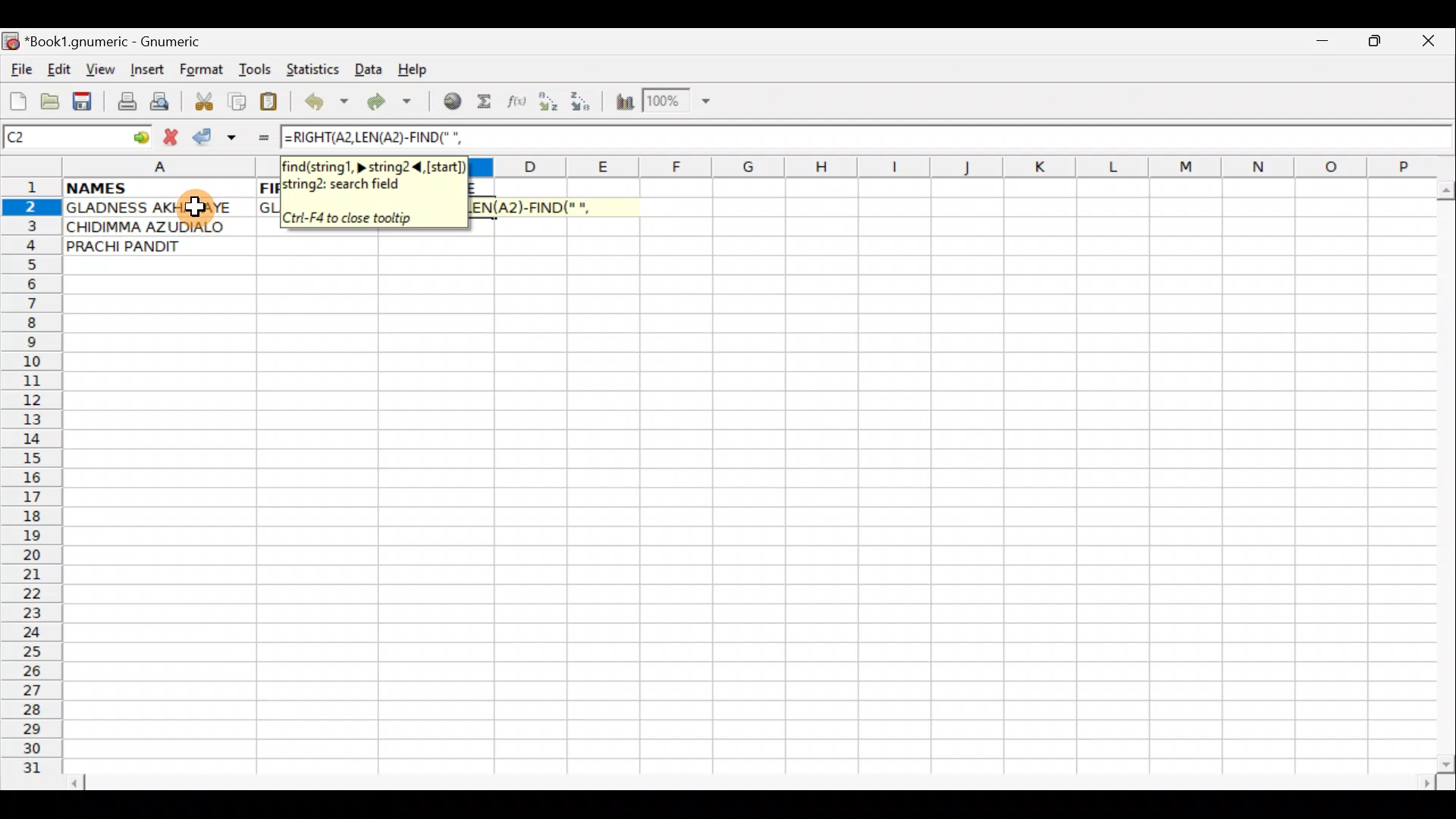 This screenshot has height=819, width=1456. I want to click on View, so click(96, 69).